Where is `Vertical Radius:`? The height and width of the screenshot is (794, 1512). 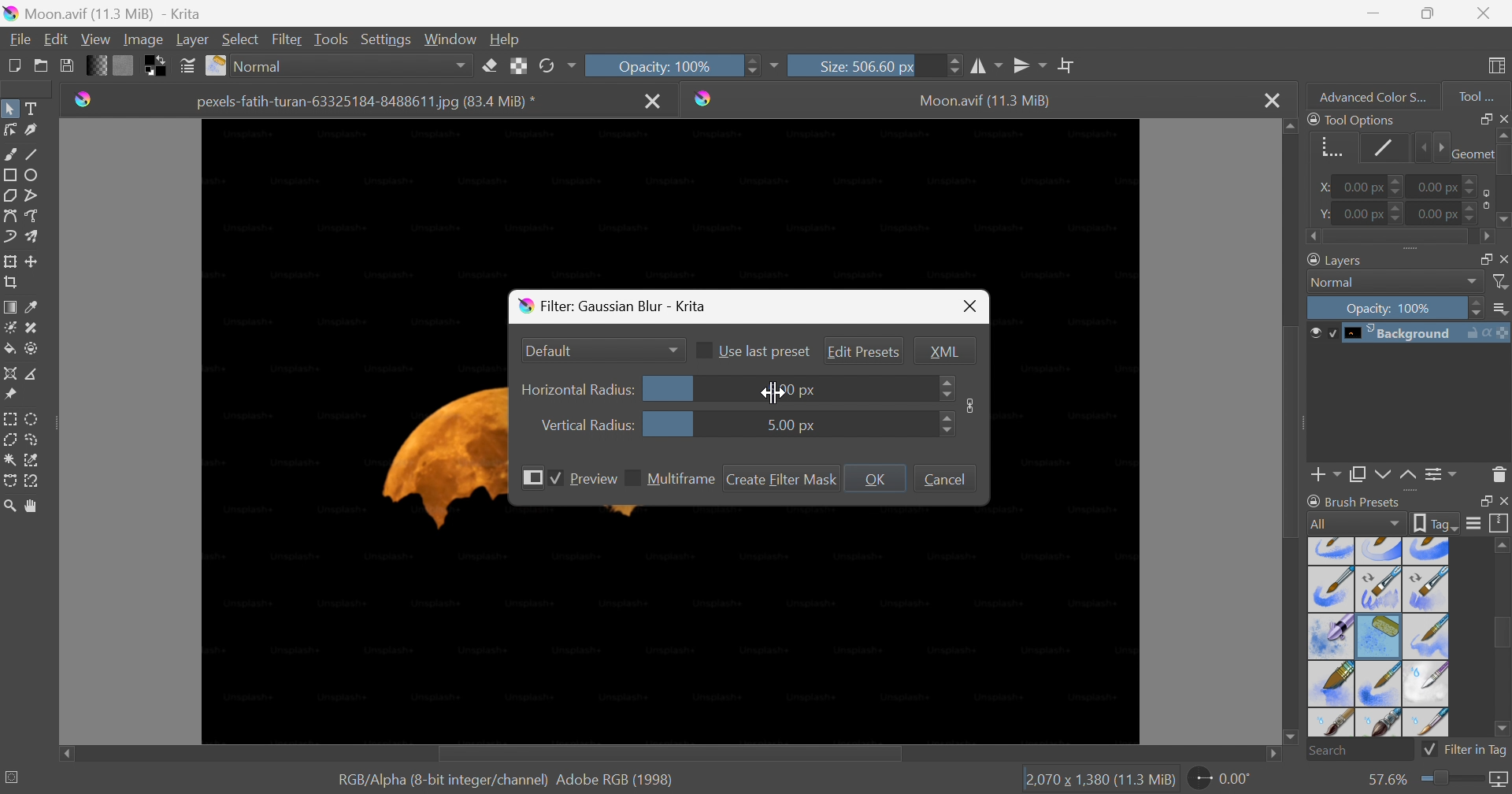
Vertical Radius: is located at coordinates (587, 424).